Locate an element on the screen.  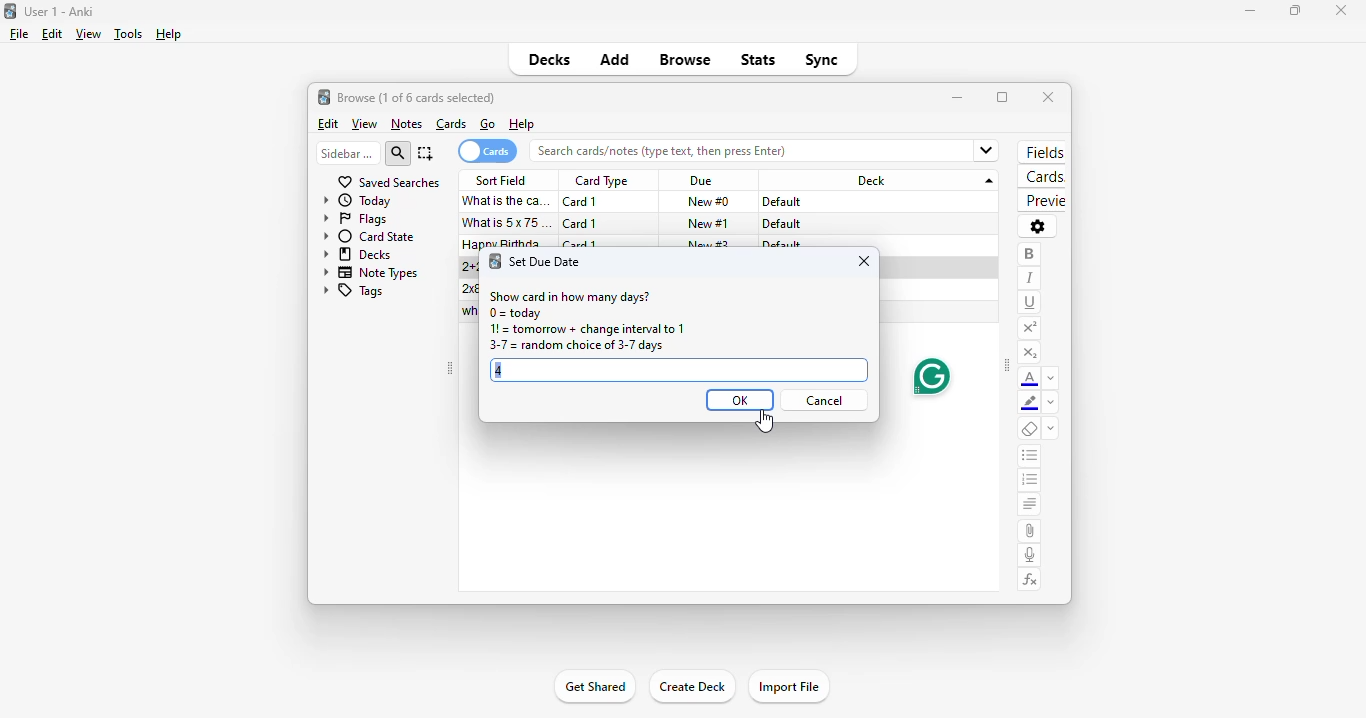
record audio is located at coordinates (1030, 555).